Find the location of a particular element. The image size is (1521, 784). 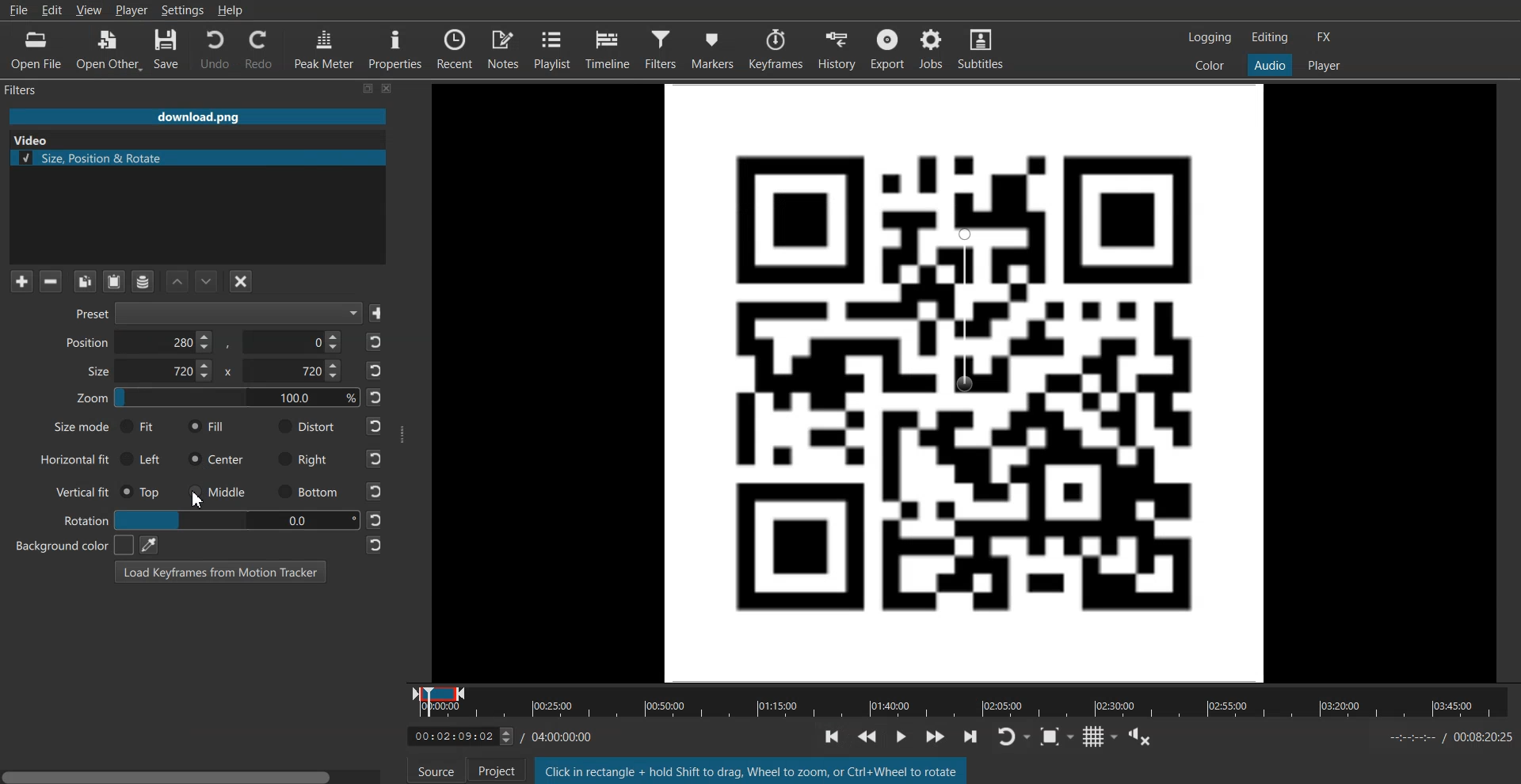

Deselect the filter is located at coordinates (242, 281).